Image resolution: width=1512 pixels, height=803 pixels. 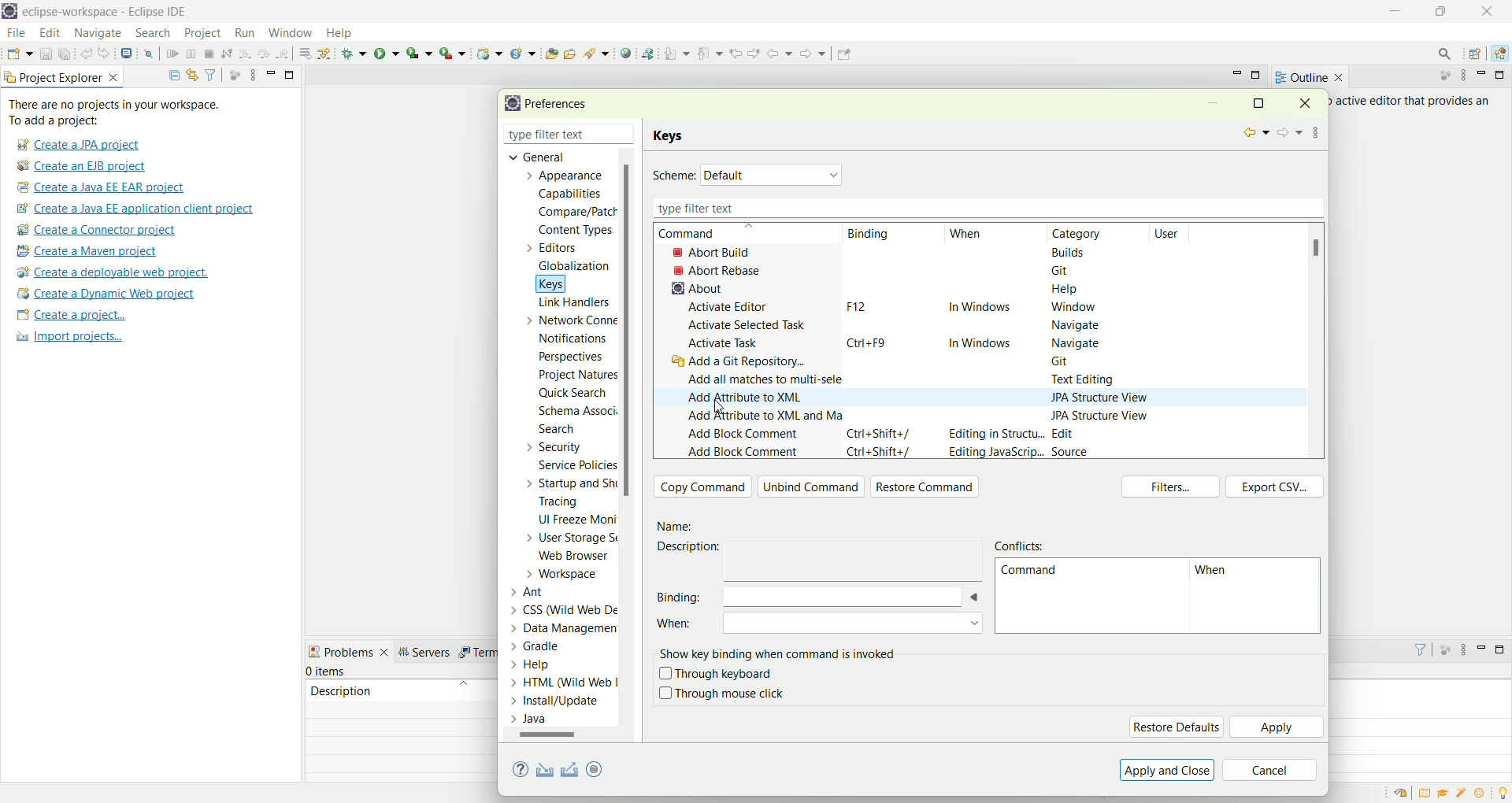 I want to click on project, so click(x=202, y=33).